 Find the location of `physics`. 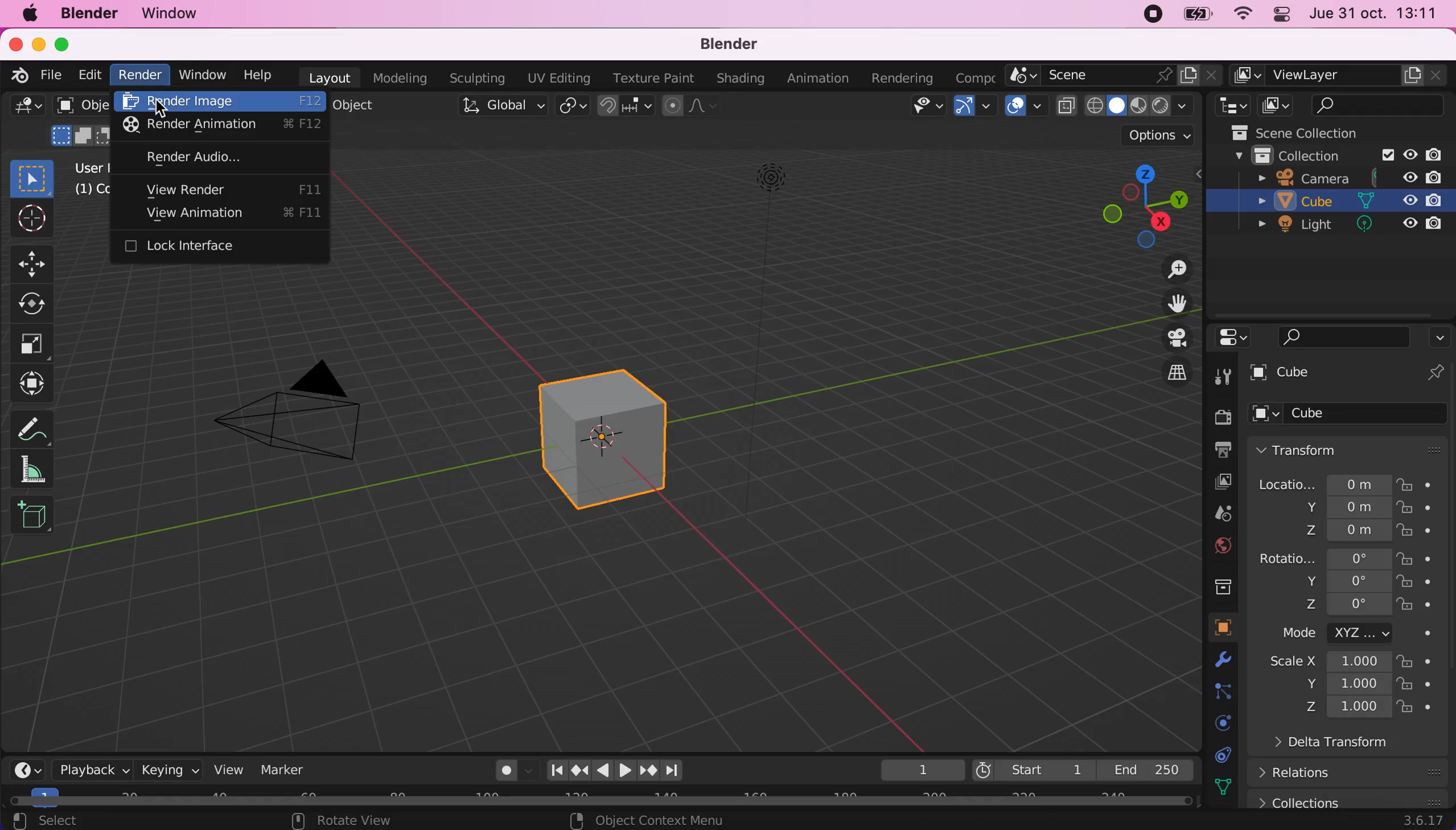

physics is located at coordinates (1218, 722).